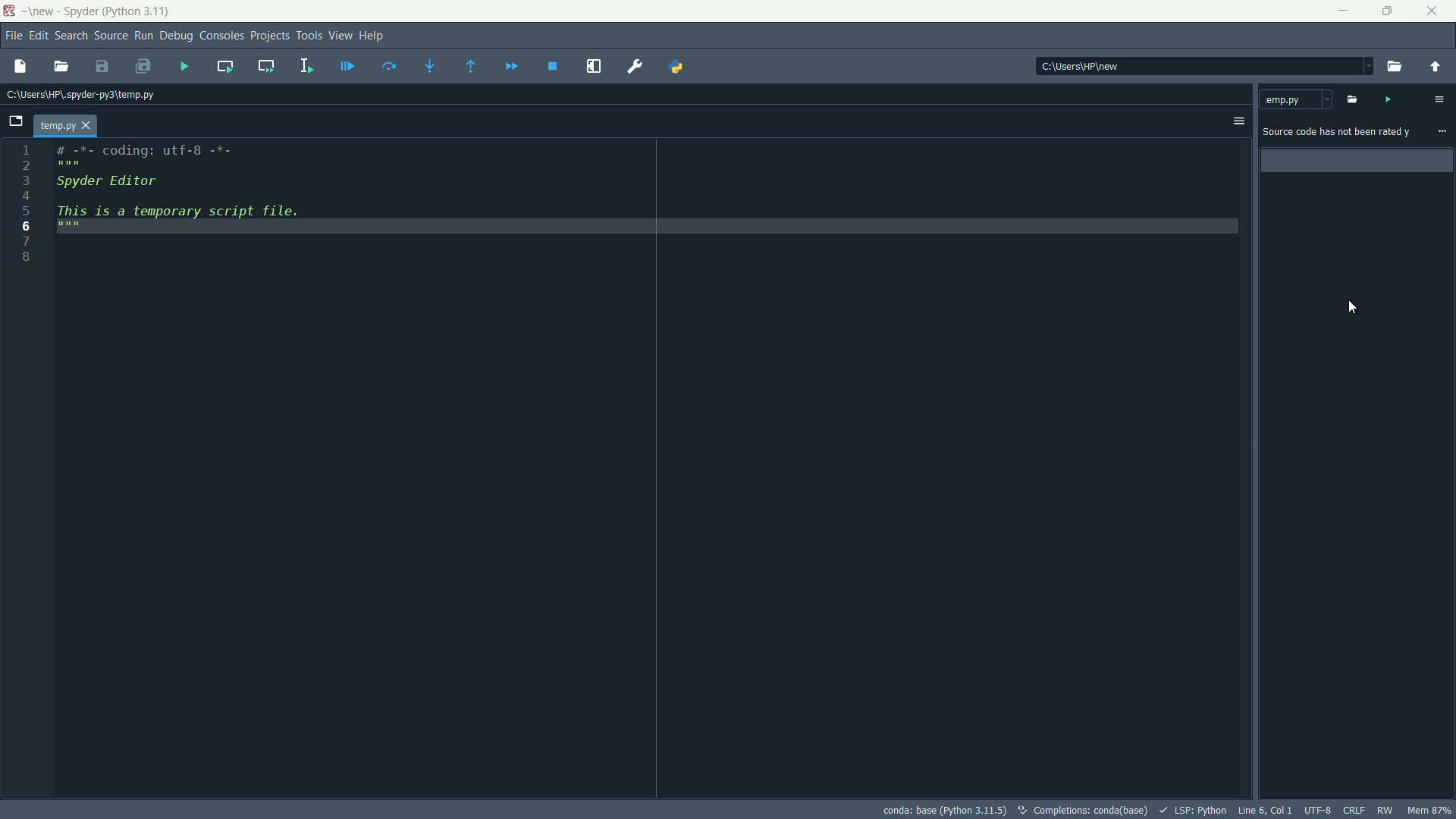  I want to click on run current cell and go to the next one, so click(267, 65).